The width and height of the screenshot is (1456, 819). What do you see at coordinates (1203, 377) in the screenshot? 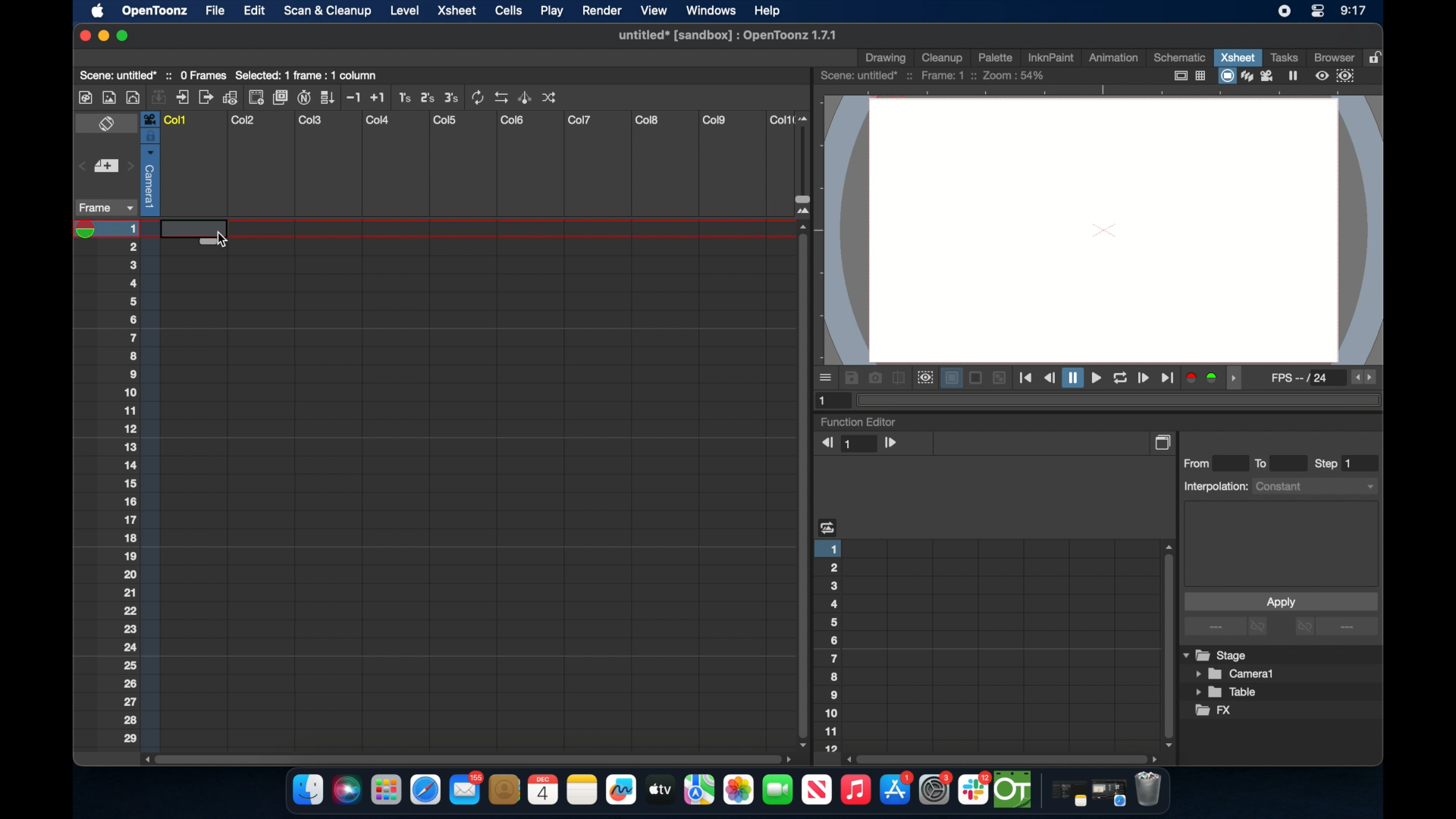
I see `color channels` at bounding box center [1203, 377].